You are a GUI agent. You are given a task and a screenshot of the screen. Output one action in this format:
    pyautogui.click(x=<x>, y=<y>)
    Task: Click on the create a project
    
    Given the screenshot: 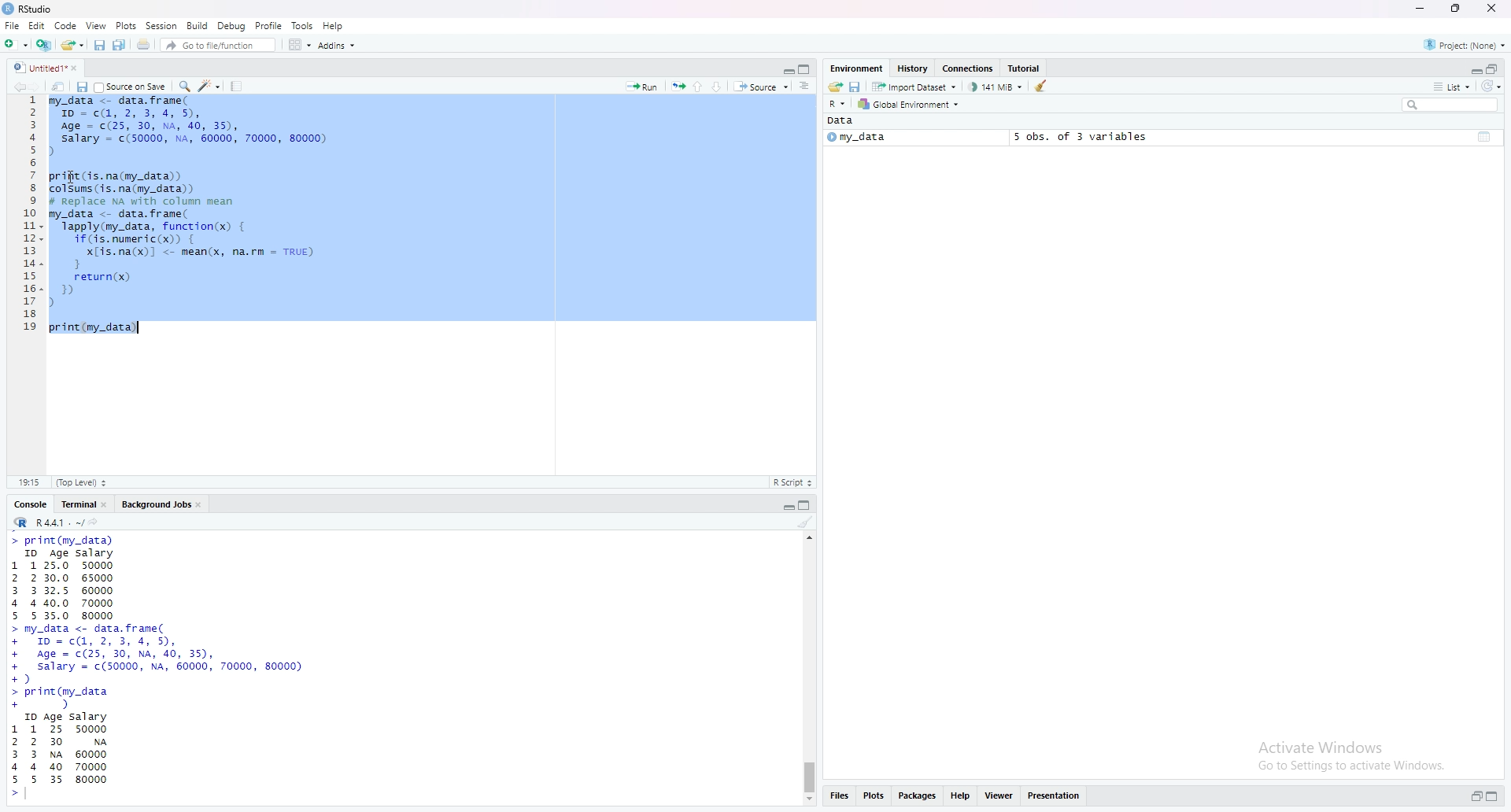 What is the action you would take?
    pyautogui.click(x=45, y=46)
    